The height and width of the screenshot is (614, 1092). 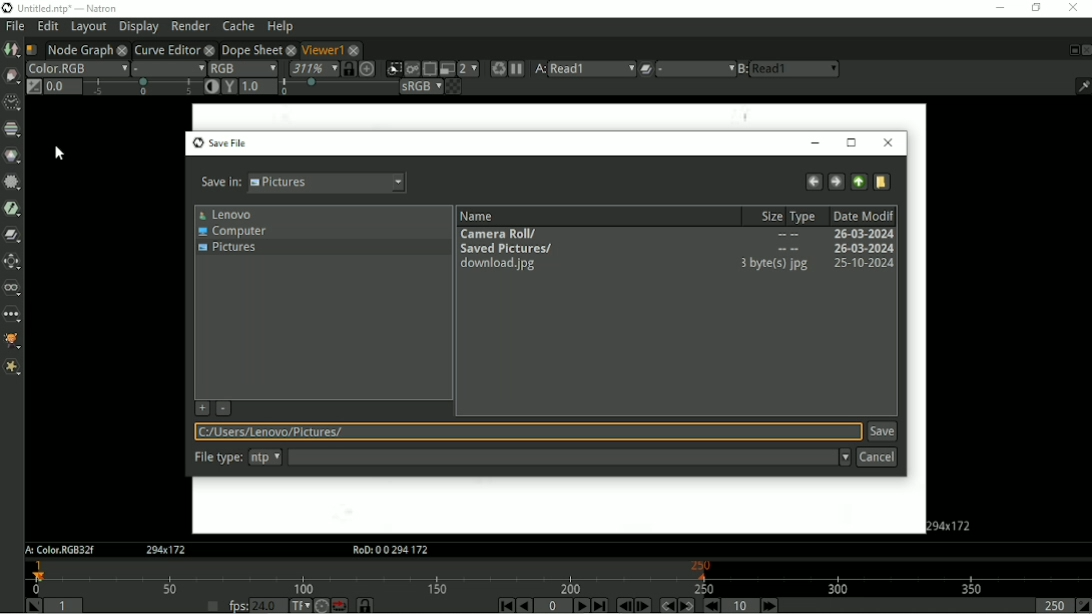 I want to click on Frame increment, so click(x=741, y=606).